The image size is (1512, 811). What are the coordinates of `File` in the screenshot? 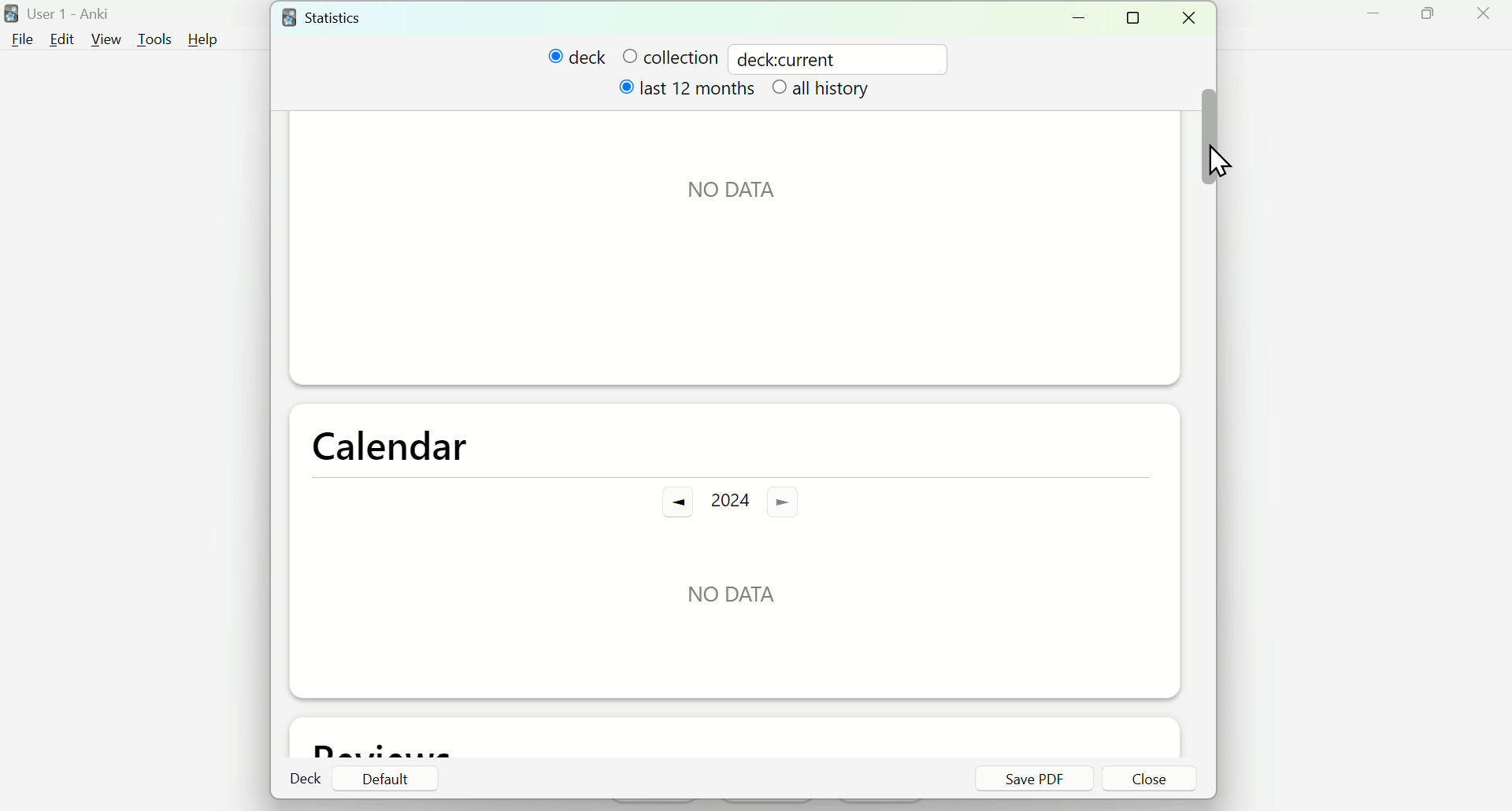 It's located at (24, 39).